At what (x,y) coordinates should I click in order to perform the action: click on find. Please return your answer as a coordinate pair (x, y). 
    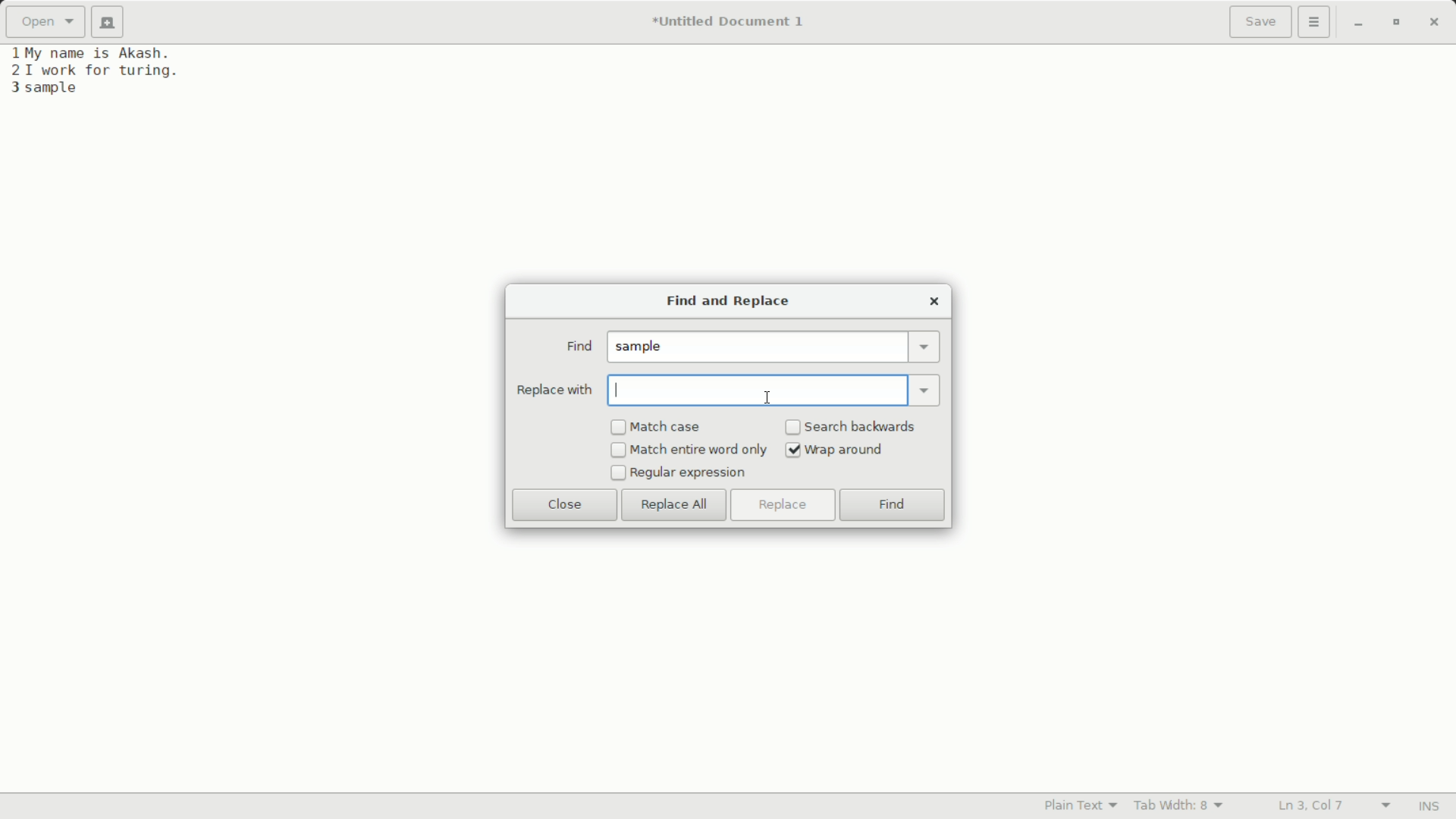
    Looking at the image, I should click on (893, 507).